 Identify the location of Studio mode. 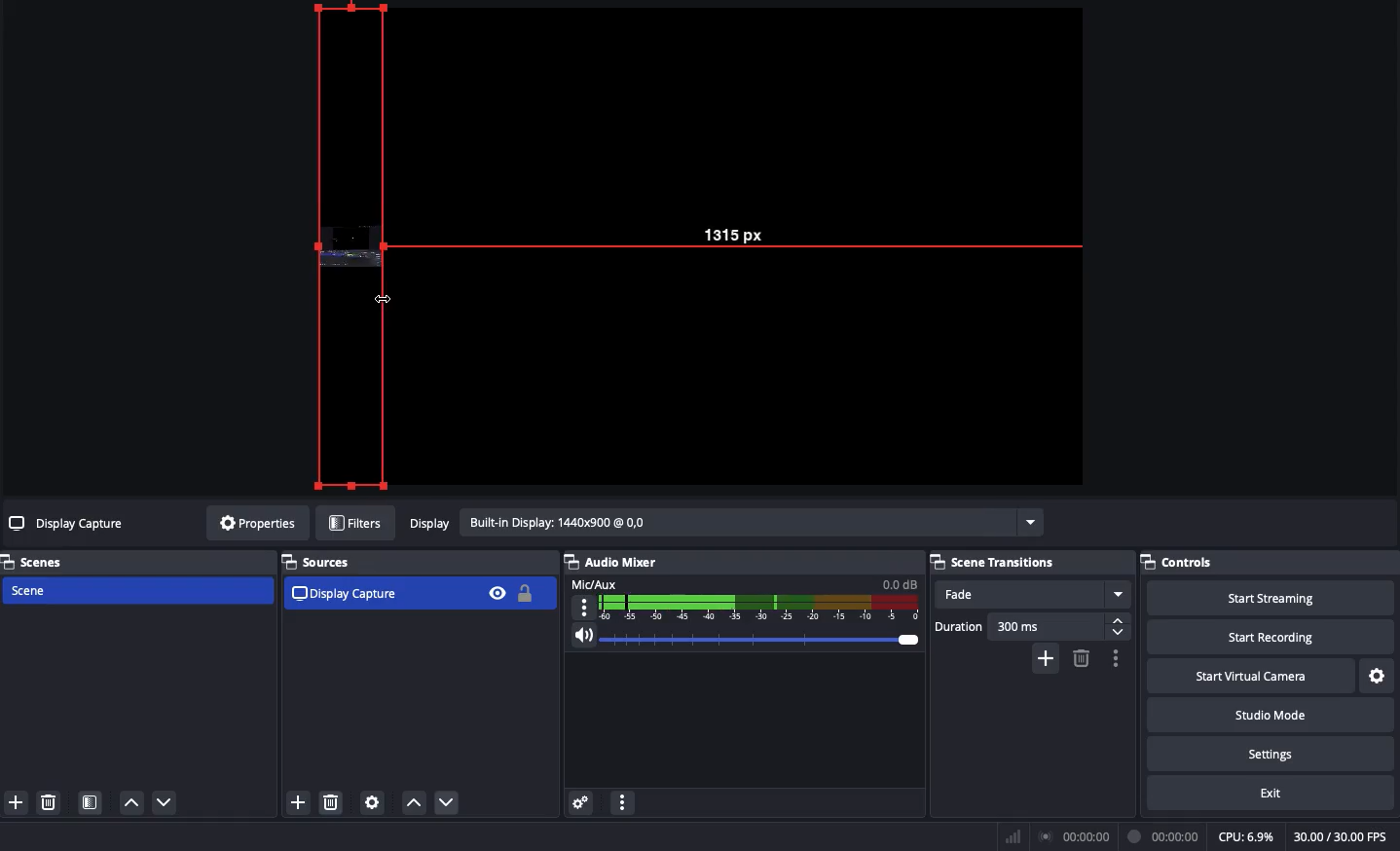
(1269, 713).